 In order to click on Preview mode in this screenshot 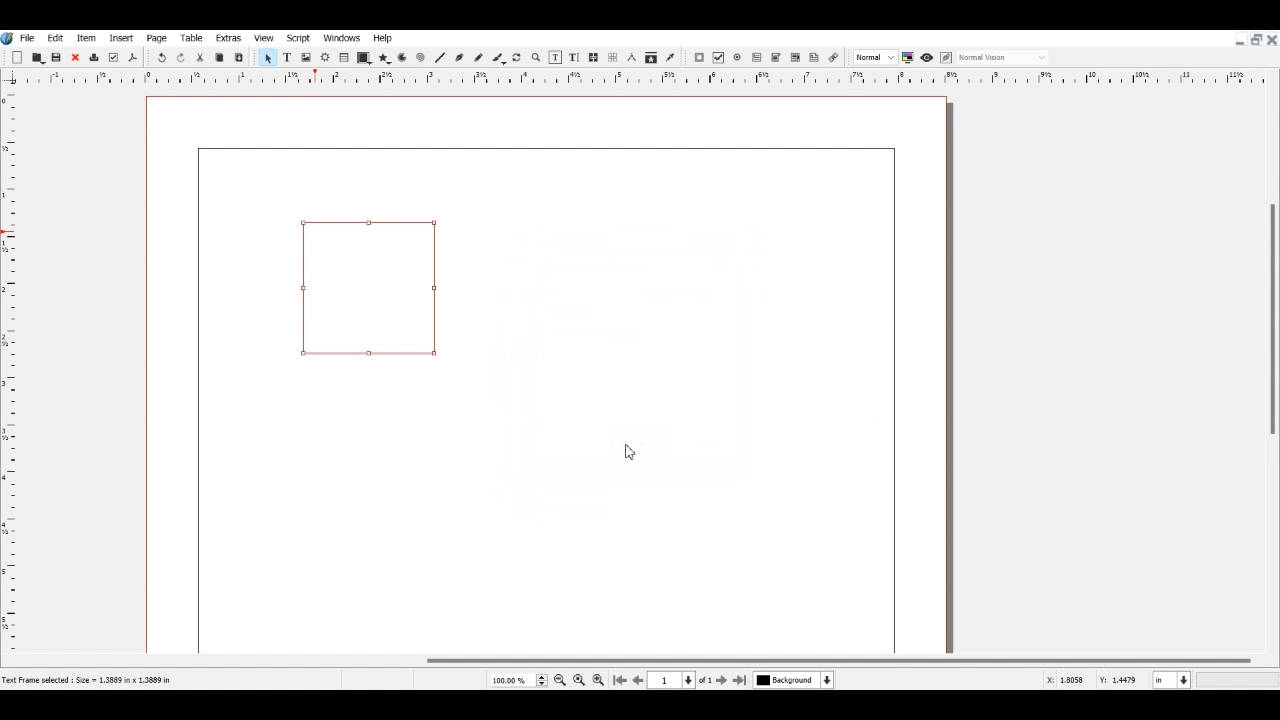, I will do `click(926, 57)`.